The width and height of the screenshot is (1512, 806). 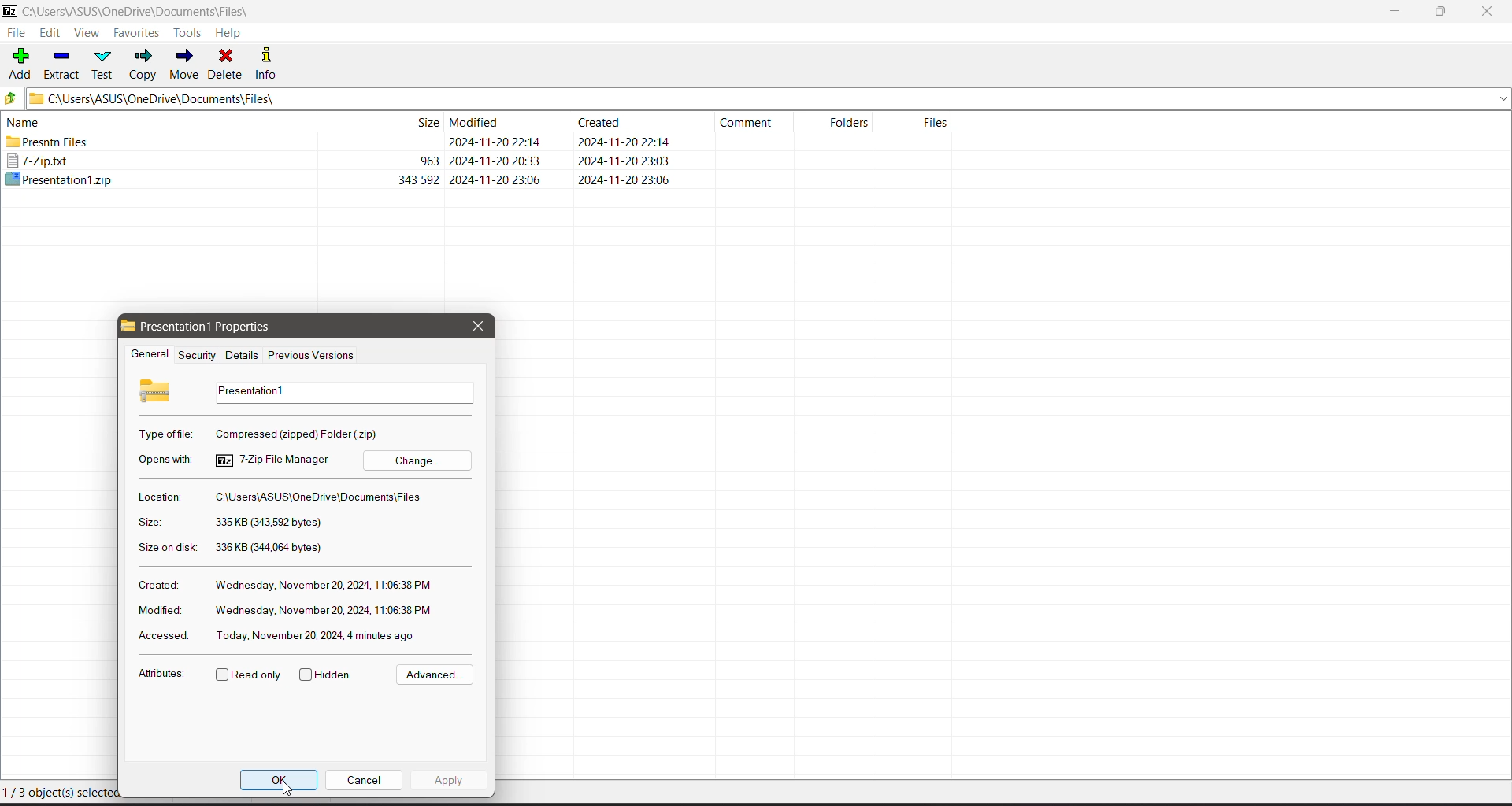 I want to click on Click to apply the changes made, so click(x=450, y=782).